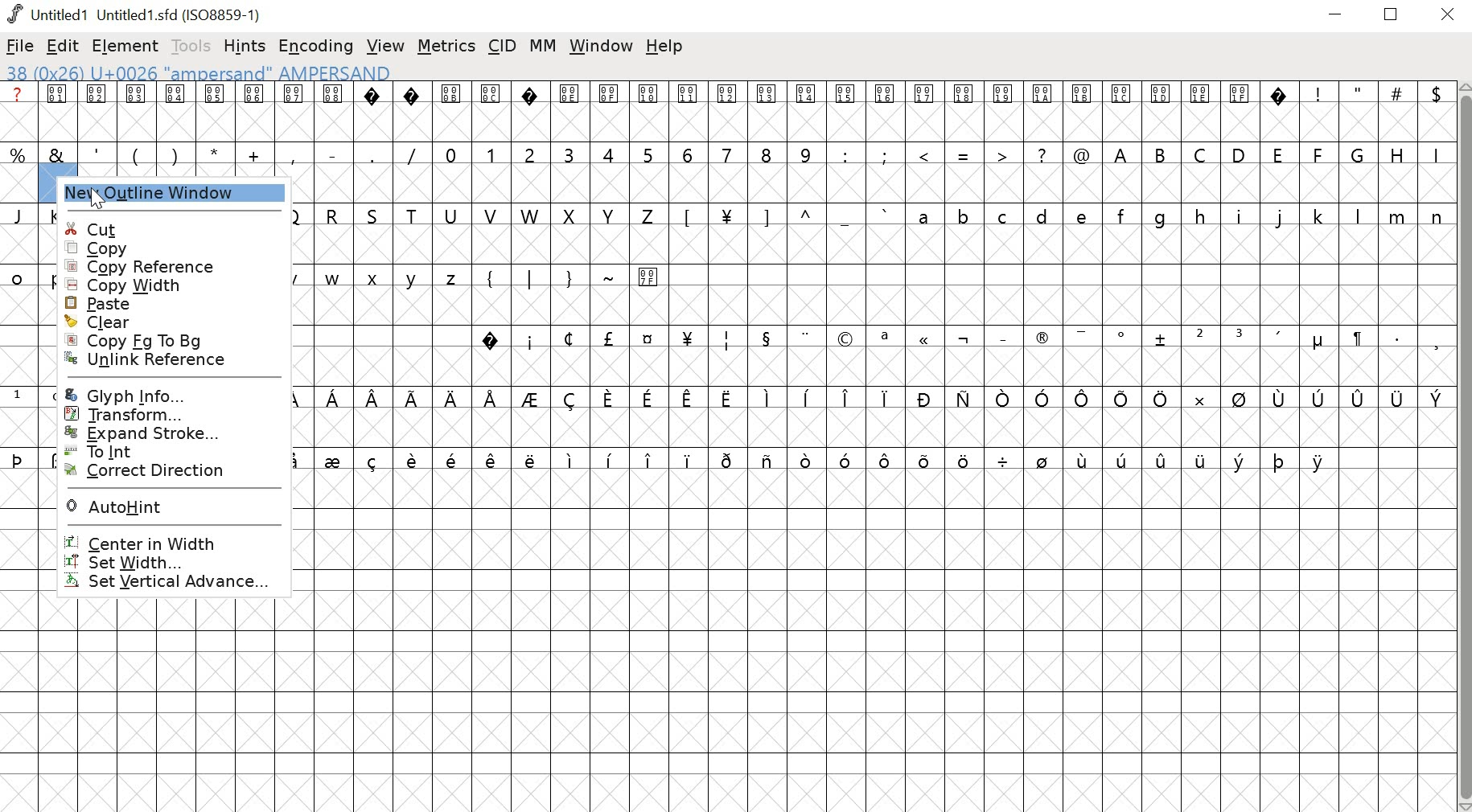  I want to click on B, so click(1162, 154).